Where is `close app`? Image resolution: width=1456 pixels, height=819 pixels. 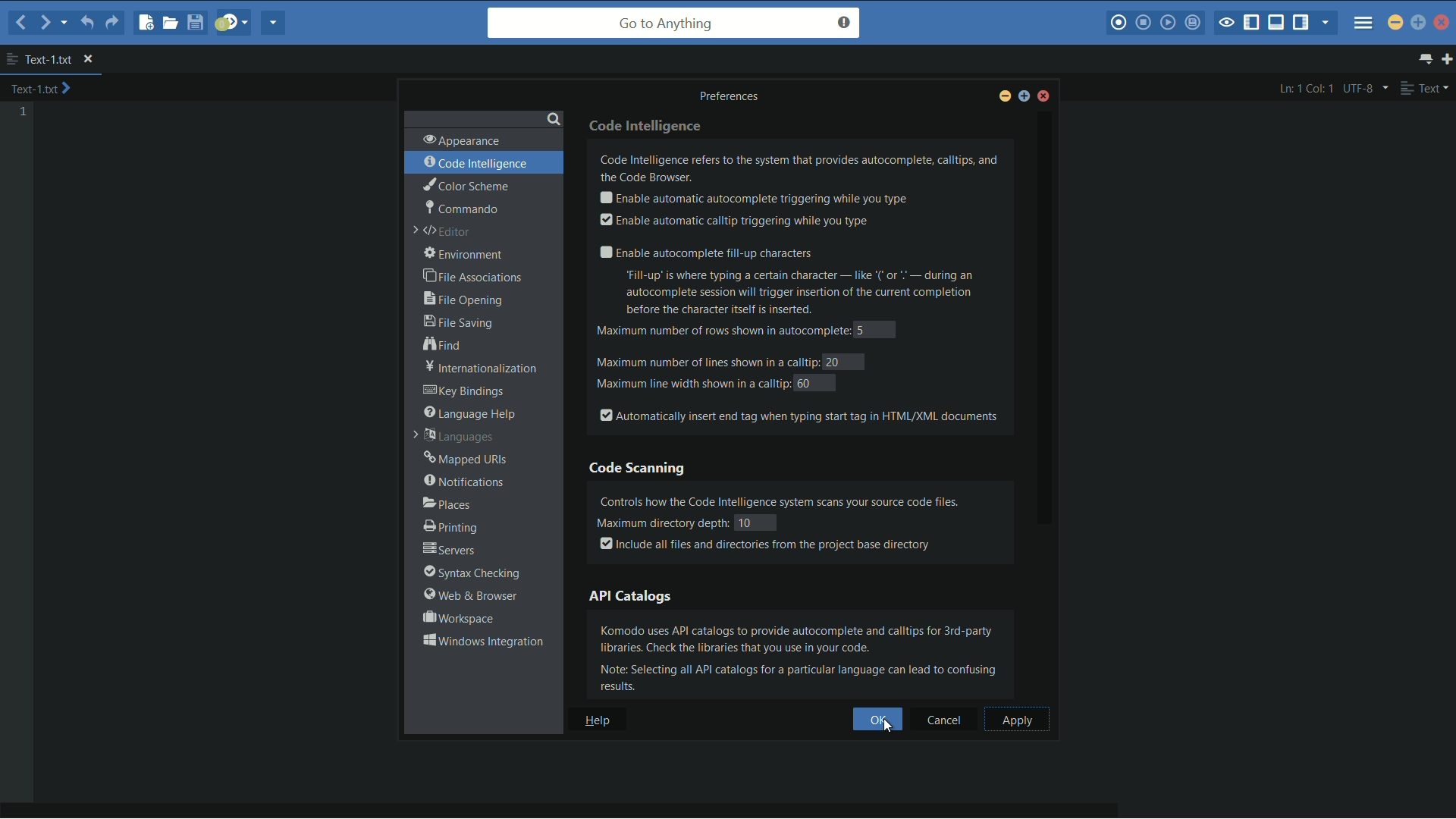 close app is located at coordinates (1443, 22).